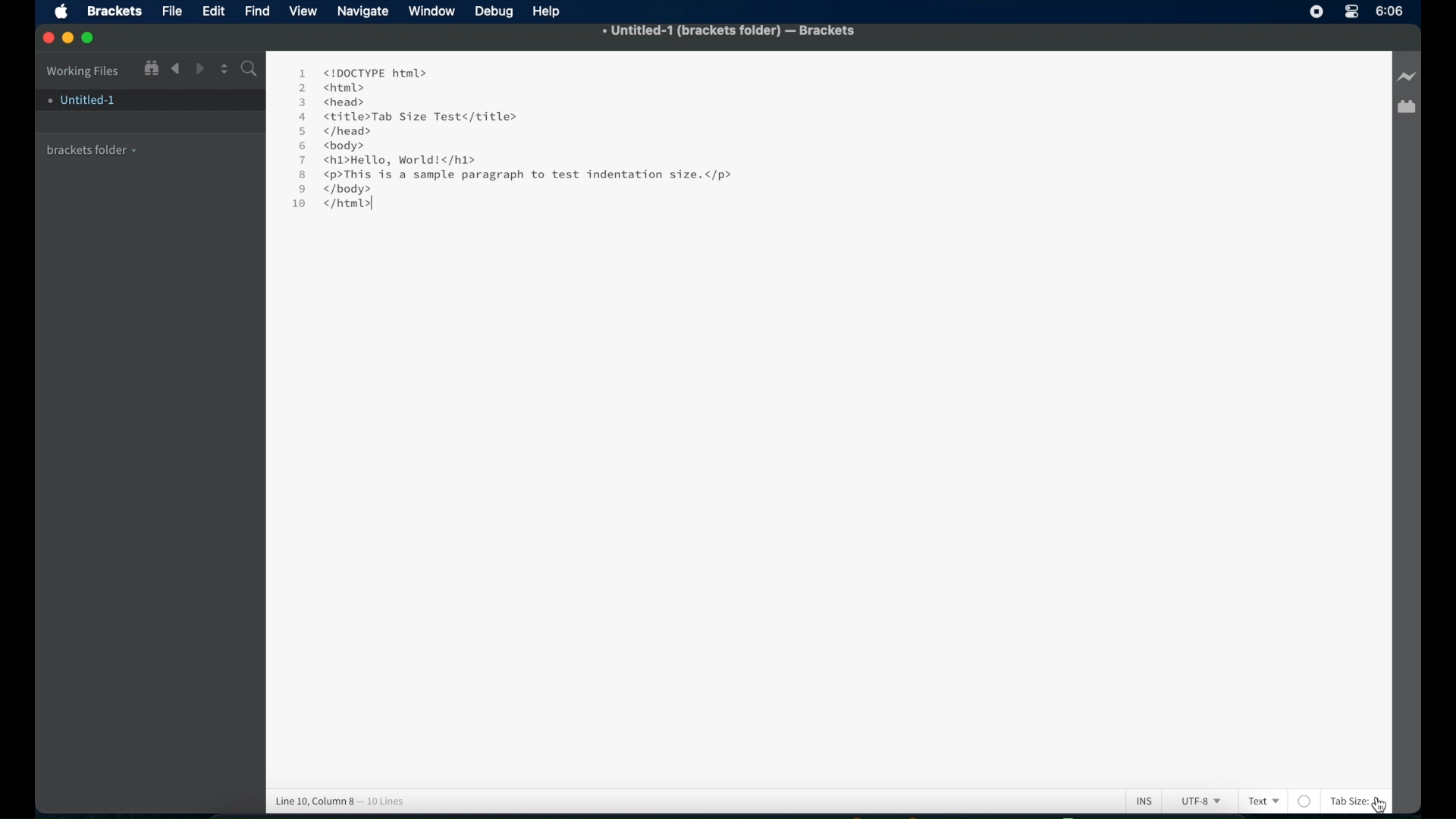 The height and width of the screenshot is (819, 1456). I want to click on Help, so click(550, 11).